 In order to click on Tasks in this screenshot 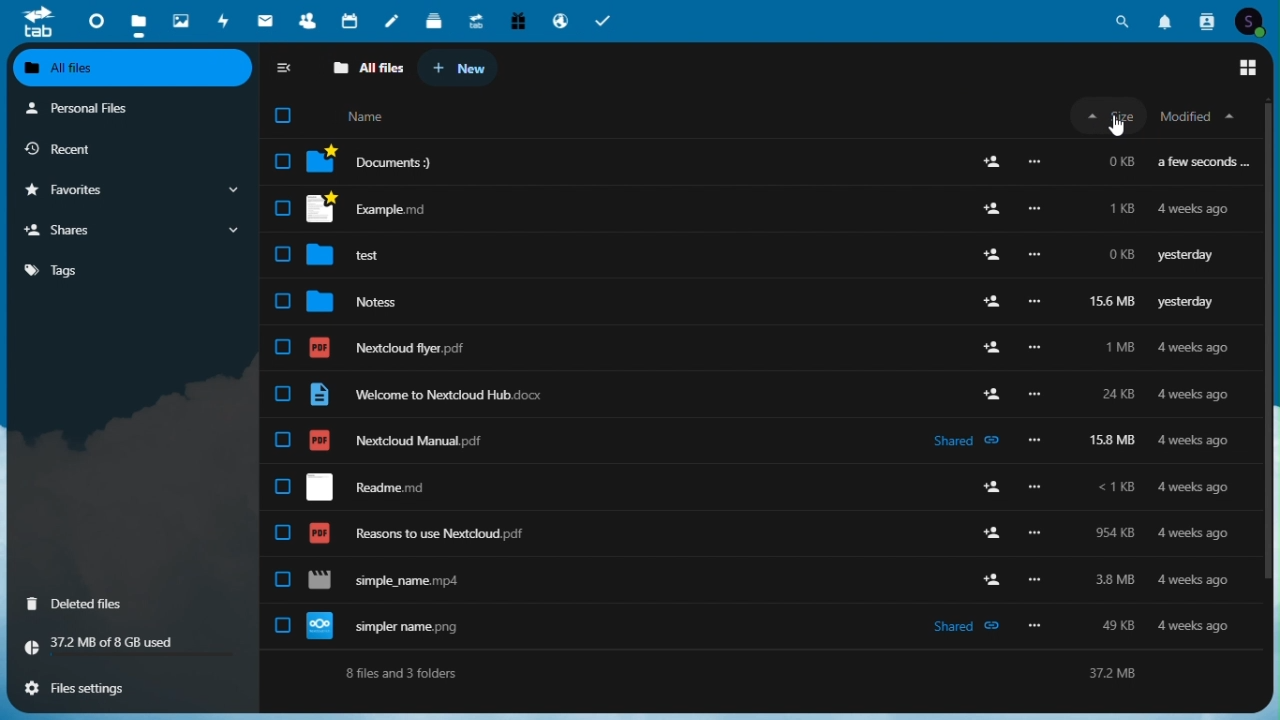, I will do `click(604, 18)`.